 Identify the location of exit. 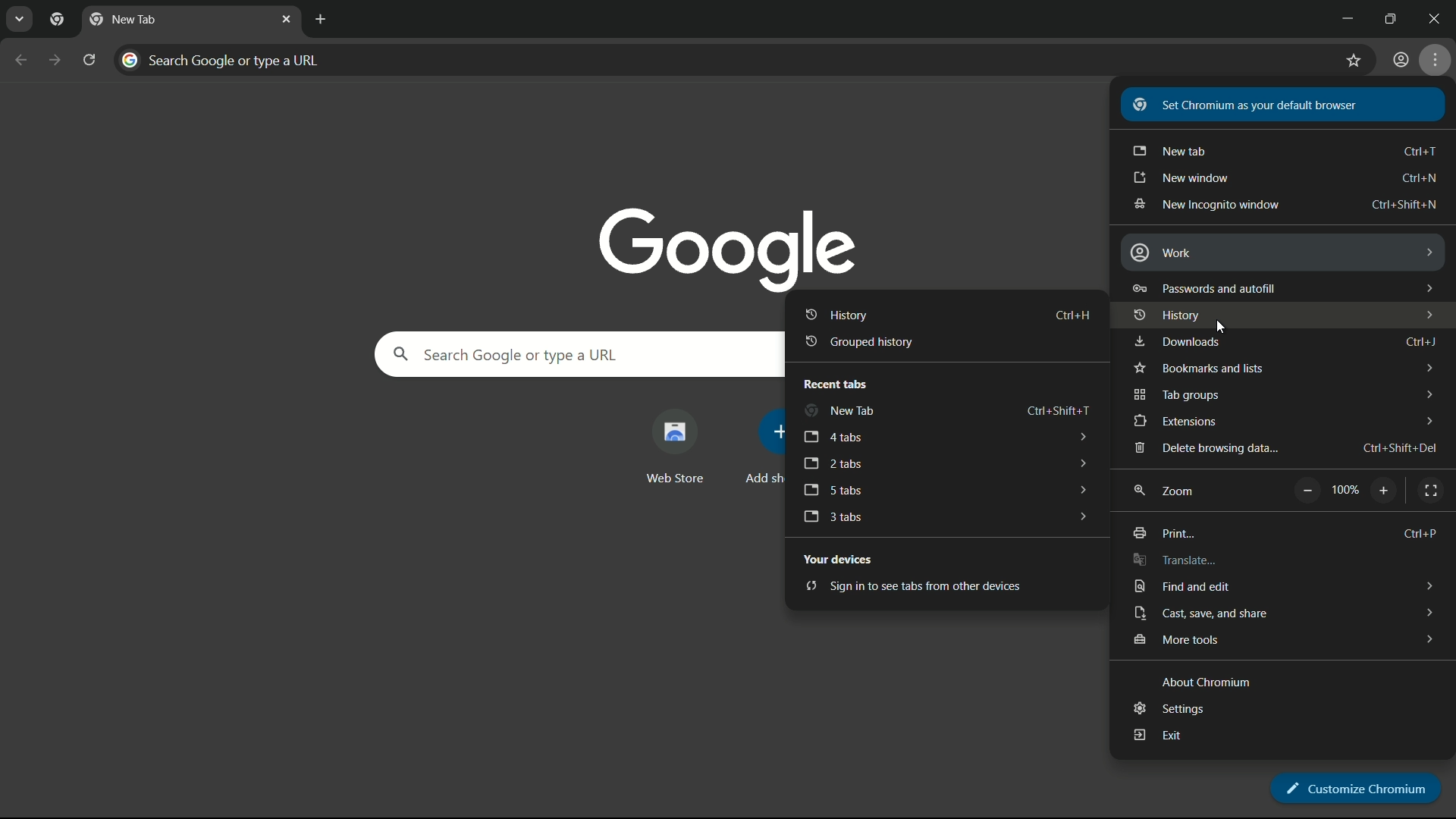
(1158, 736).